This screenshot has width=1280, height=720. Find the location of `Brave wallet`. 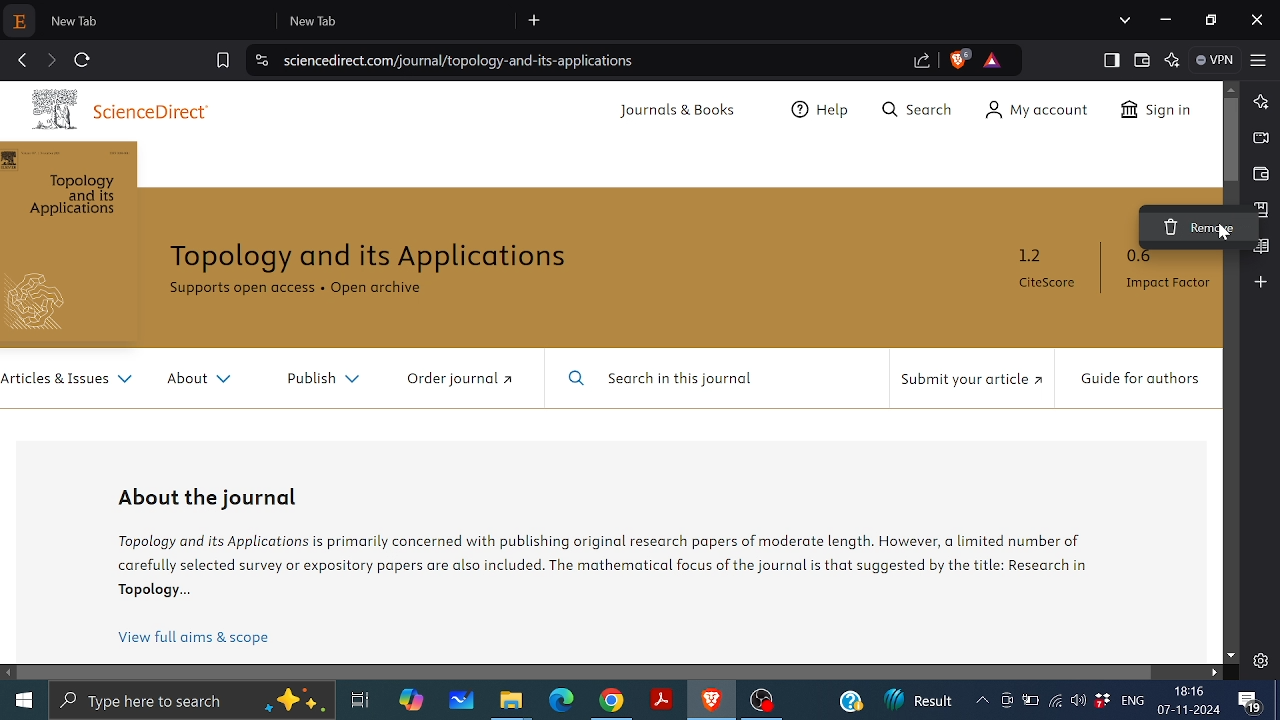

Brave wallet is located at coordinates (1259, 174).